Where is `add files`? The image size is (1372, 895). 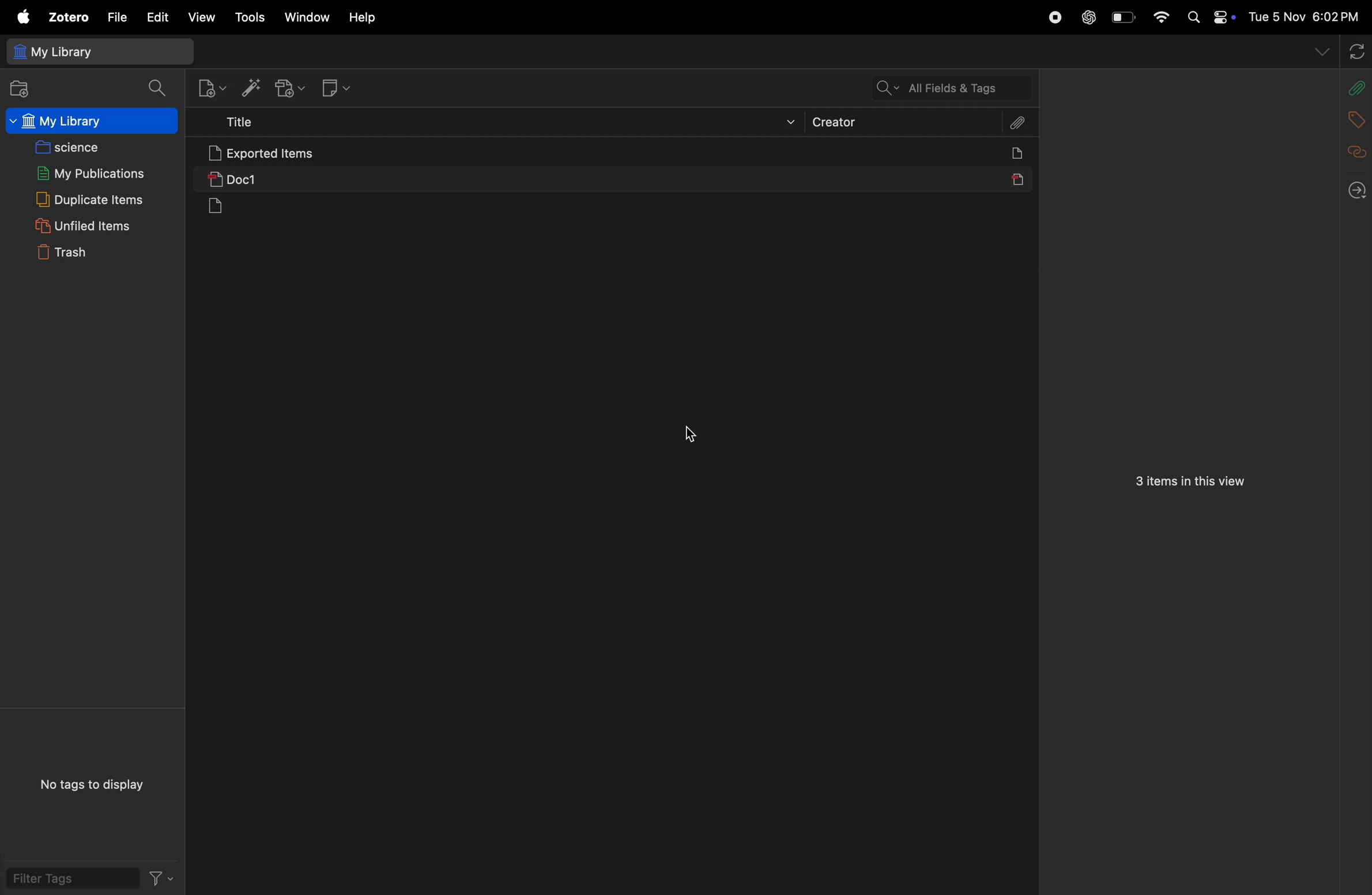
add files is located at coordinates (20, 91).